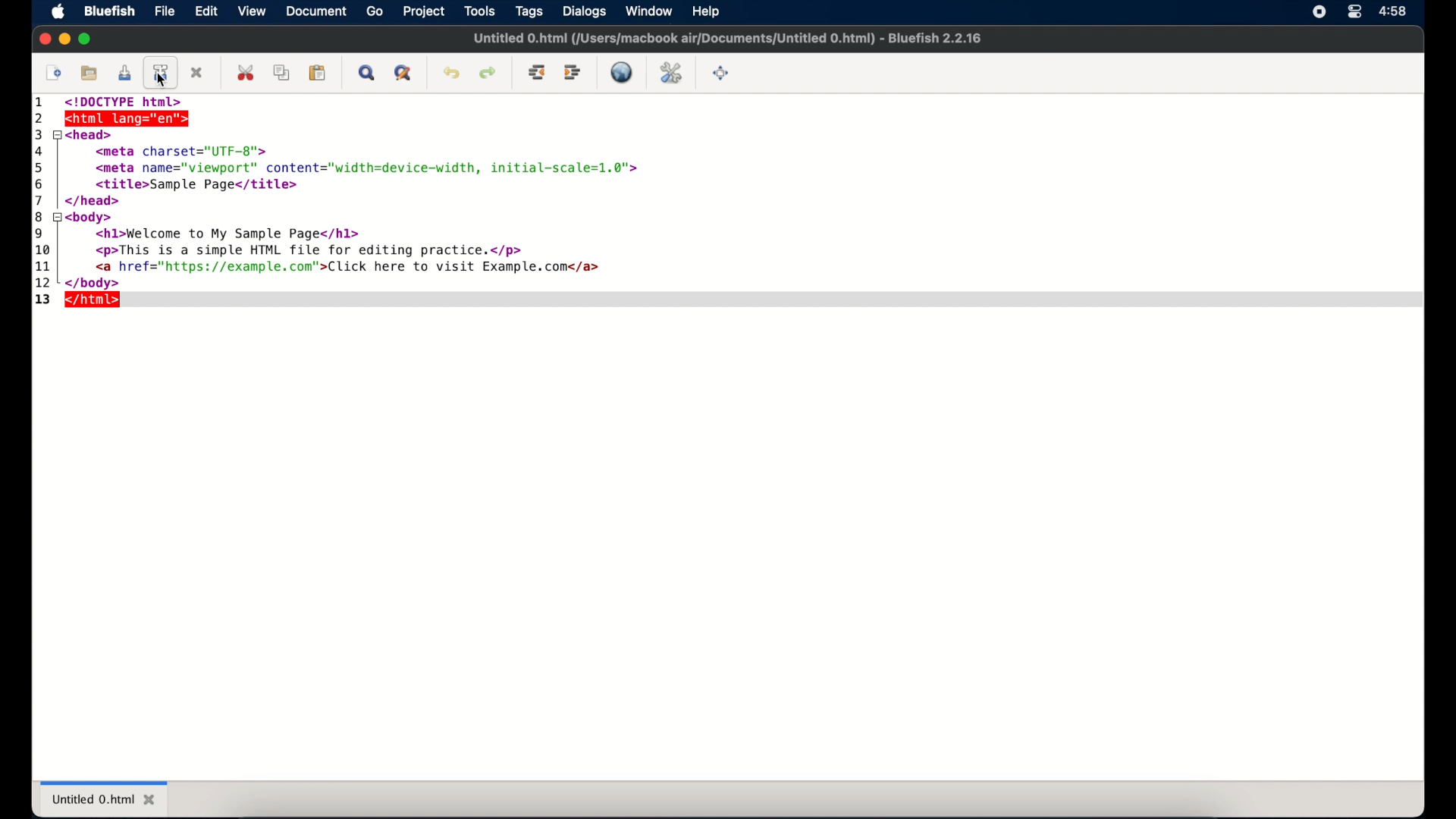  I want to click on 6, so click(42, 183).